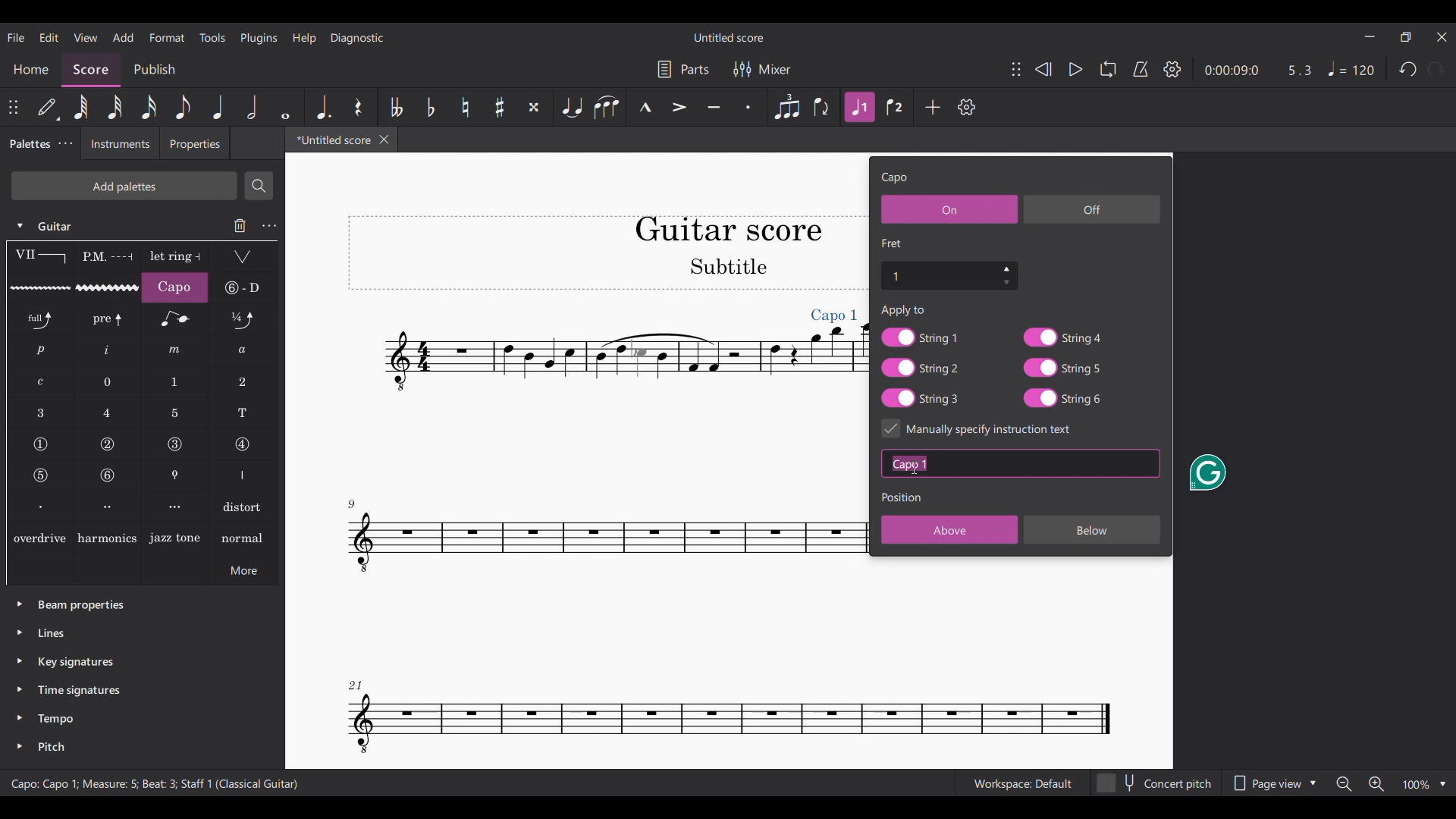 The image size is (1456, 819). I want to click on Palettes, current tab, so click(28, 144).